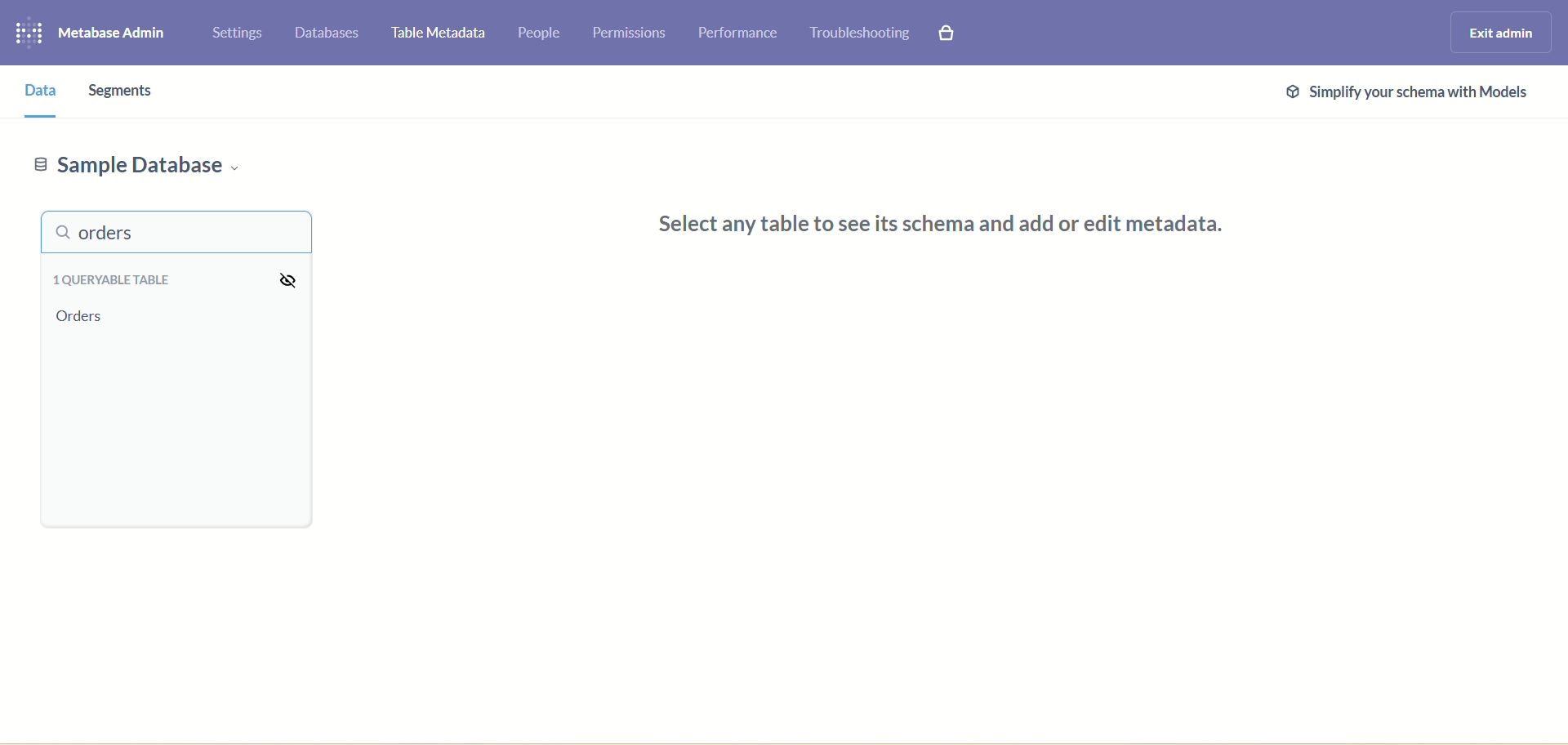 The width and height of the screenshot is (1568, 745). What do you see at coordinates (630, 32) in the screenshot?
I see `permissions` at bounding box center [630, 32].